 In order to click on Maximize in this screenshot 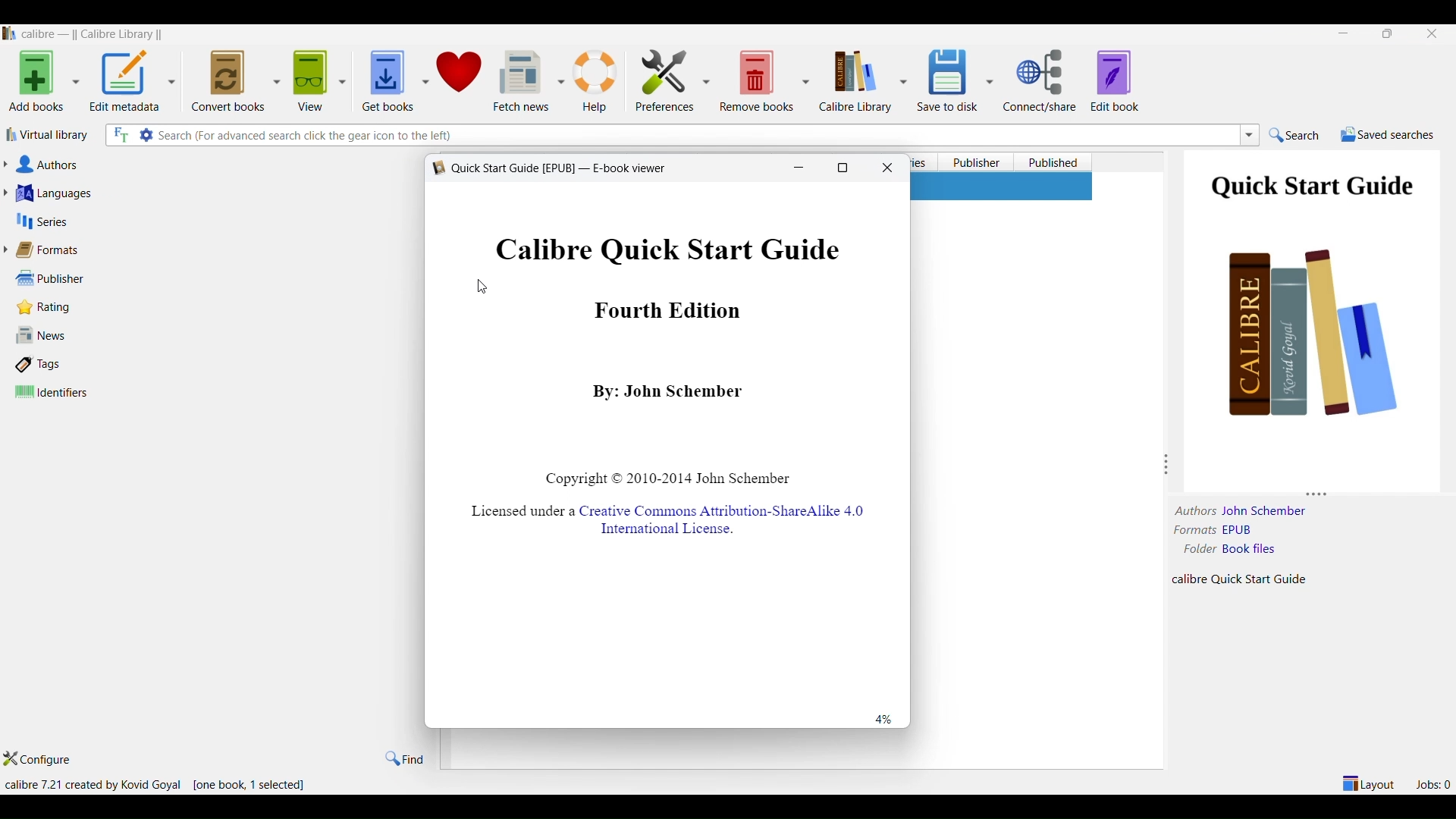, I will do `click(849, 165)`.